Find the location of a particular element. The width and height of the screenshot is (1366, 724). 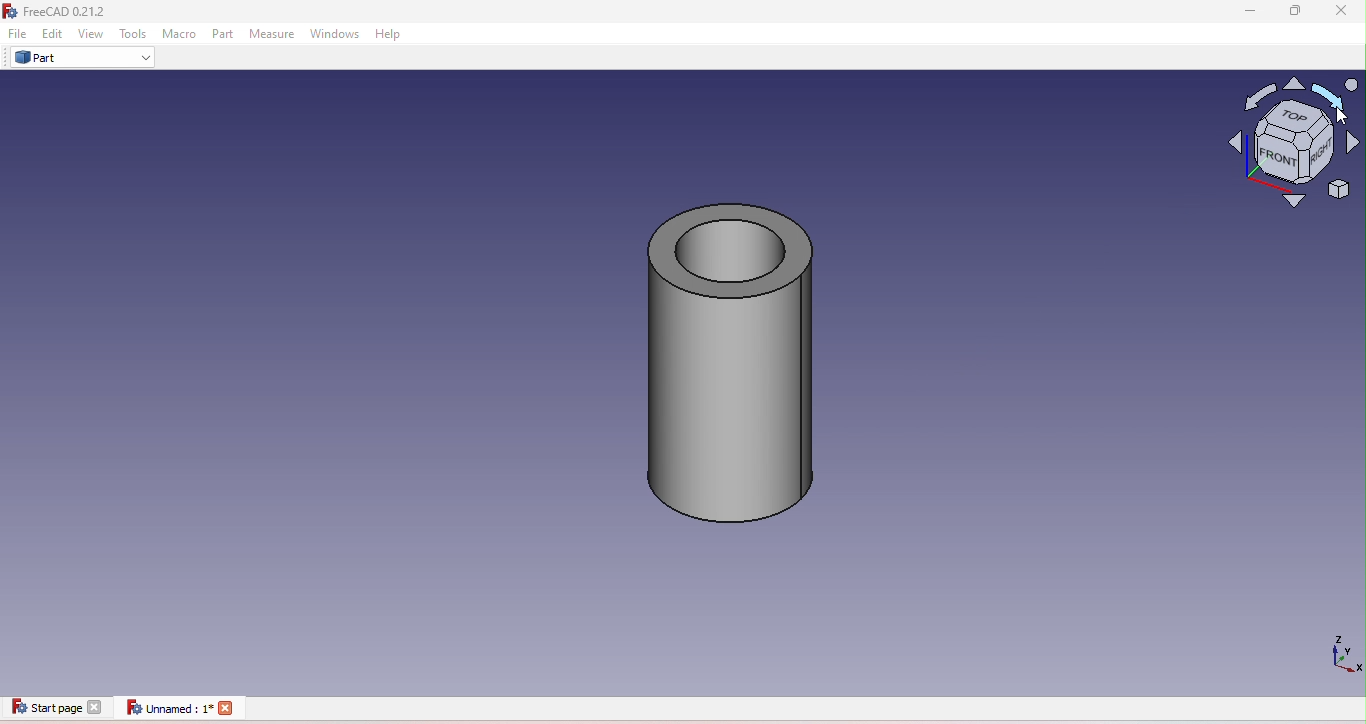

Windows is located at coordinates (339, 34).